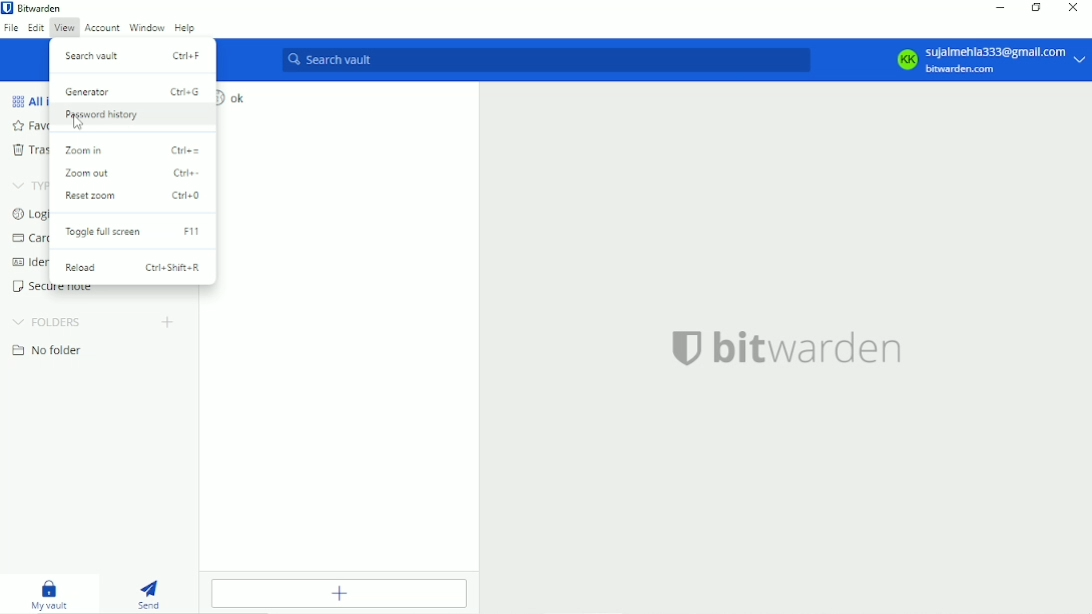 This screenshot has width=1092, height=614. Describe the element at coordinates (36, 28) in the screenshot. I see `Edit` at that location.